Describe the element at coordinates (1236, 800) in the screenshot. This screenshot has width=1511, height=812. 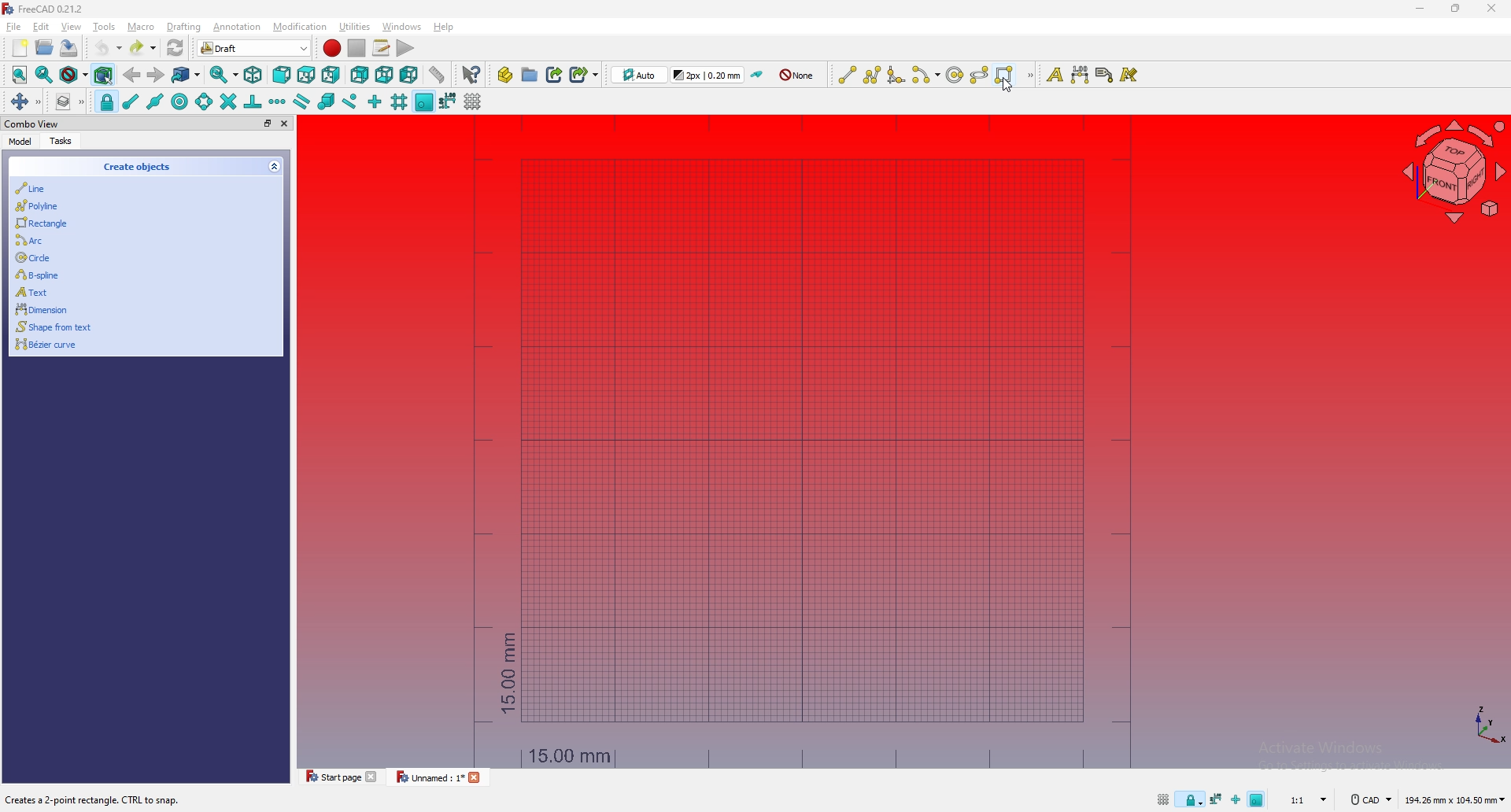
I see `snap ortho` at that location.